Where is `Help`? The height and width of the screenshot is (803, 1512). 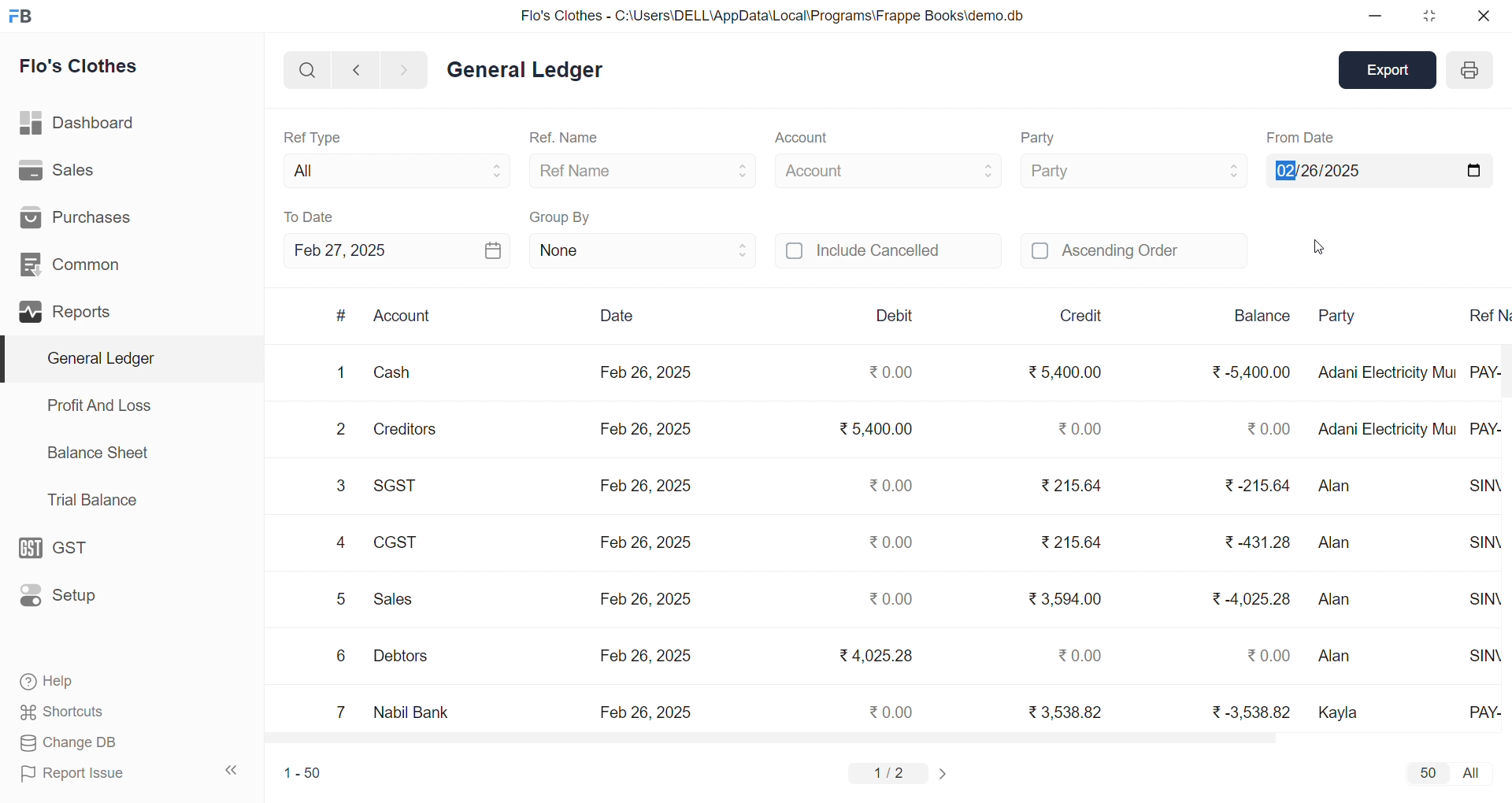 Help is located at coordinates (53, 683).